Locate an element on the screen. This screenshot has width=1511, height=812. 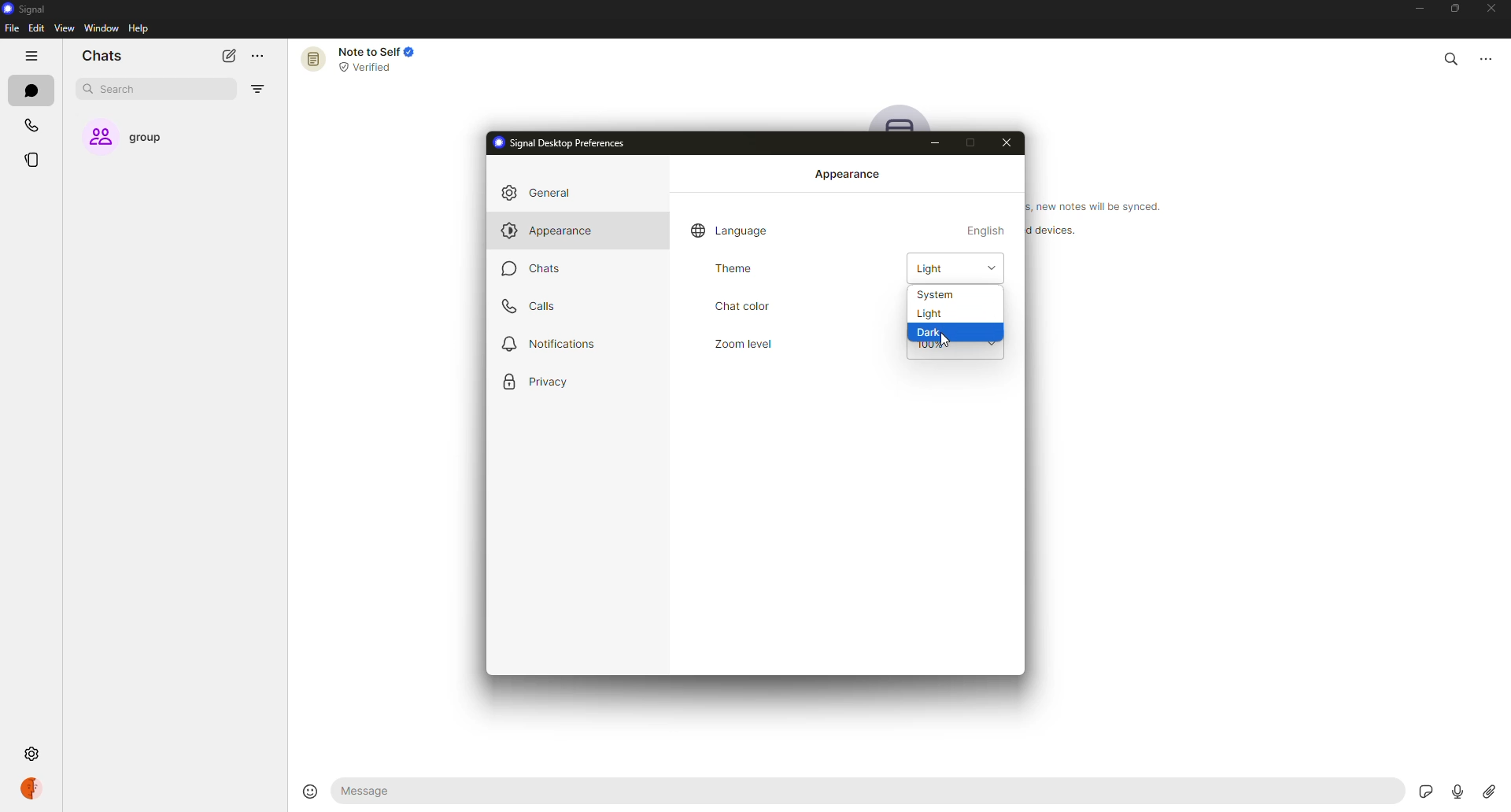
stories is located at coordinates (36, 160).